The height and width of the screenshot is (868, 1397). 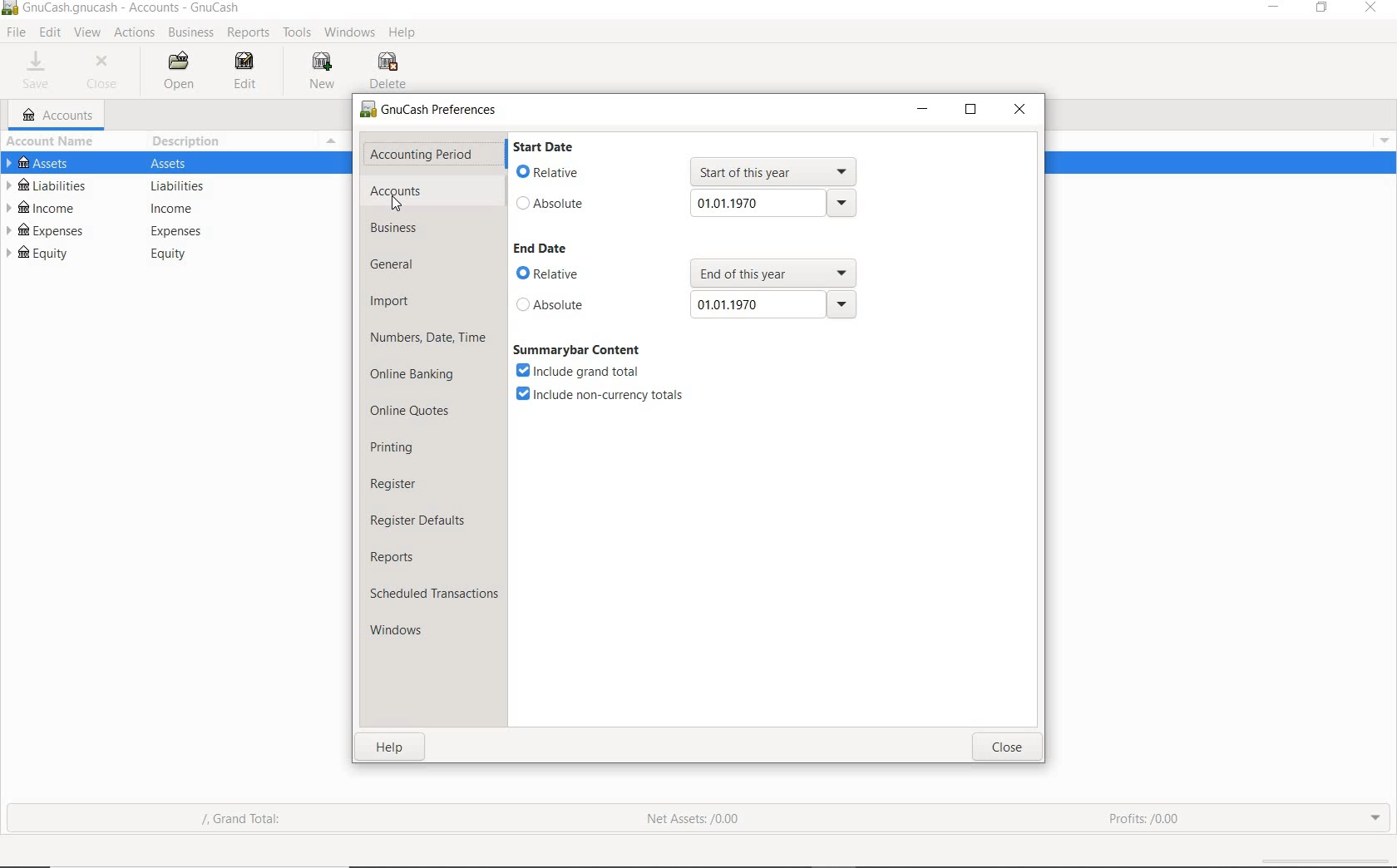 I want to click on accounts, so click(x=397, y=190).